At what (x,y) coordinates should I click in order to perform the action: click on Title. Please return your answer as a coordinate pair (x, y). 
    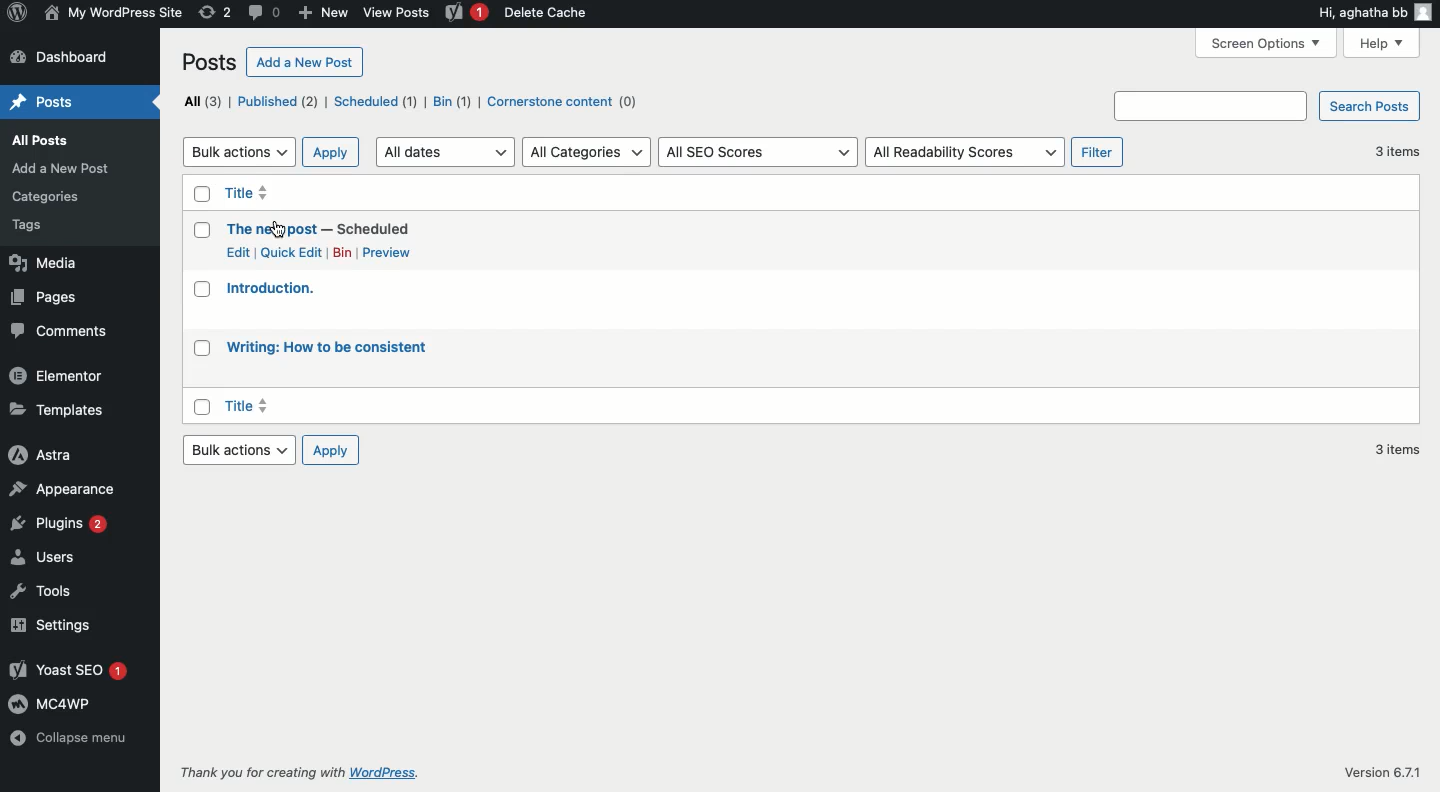
    Looking at the image, I should click on (248, 193).